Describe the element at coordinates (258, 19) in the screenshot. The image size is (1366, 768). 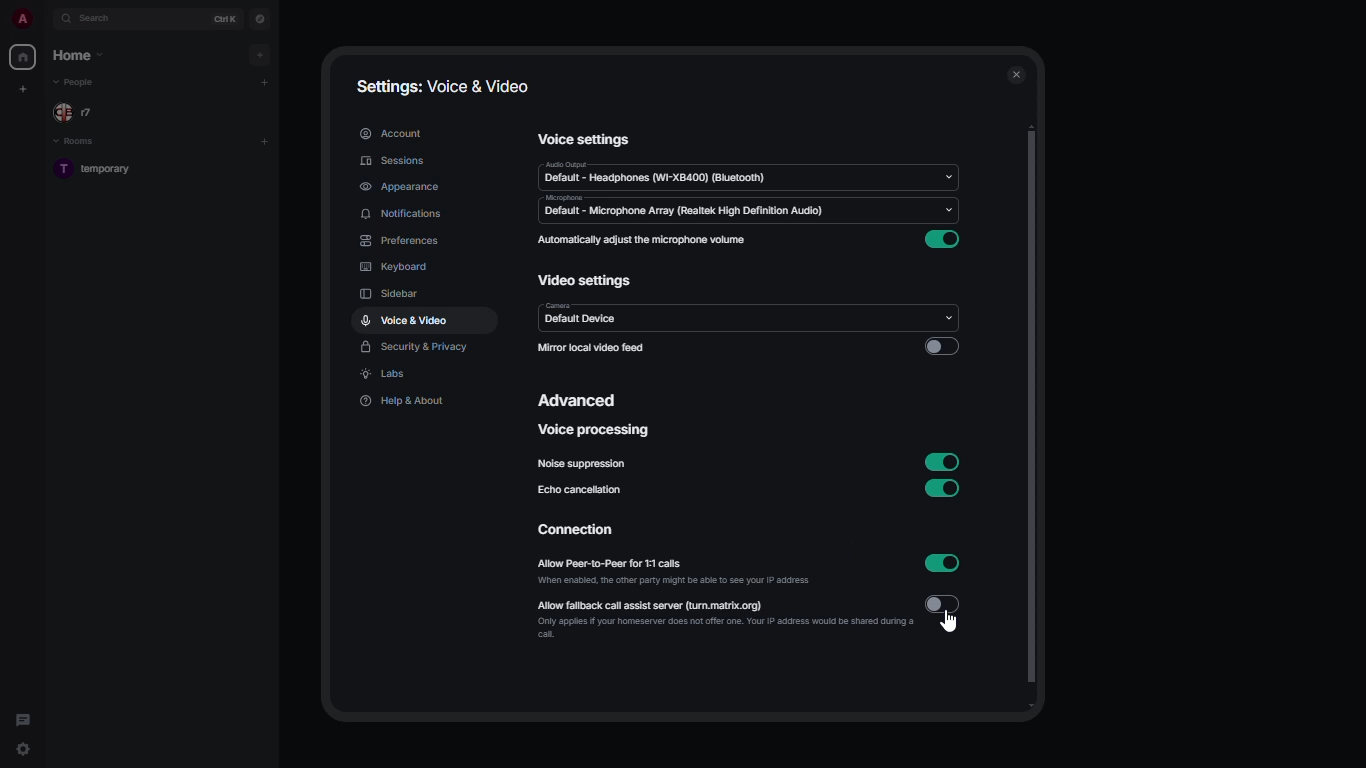
I see `navigator` at that location.